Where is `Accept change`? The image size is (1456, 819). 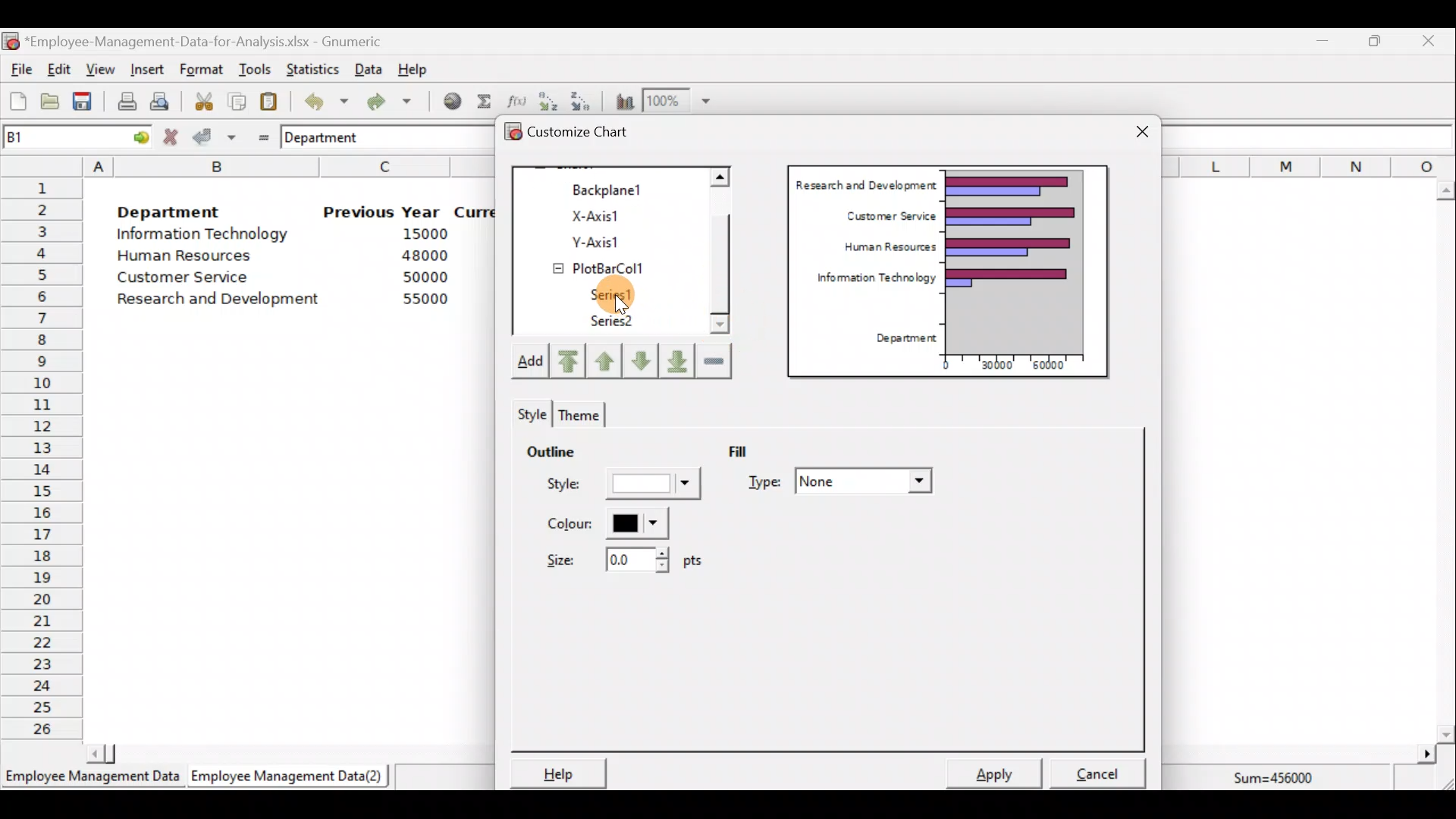
Accept change is located at coordinates (215, 136).